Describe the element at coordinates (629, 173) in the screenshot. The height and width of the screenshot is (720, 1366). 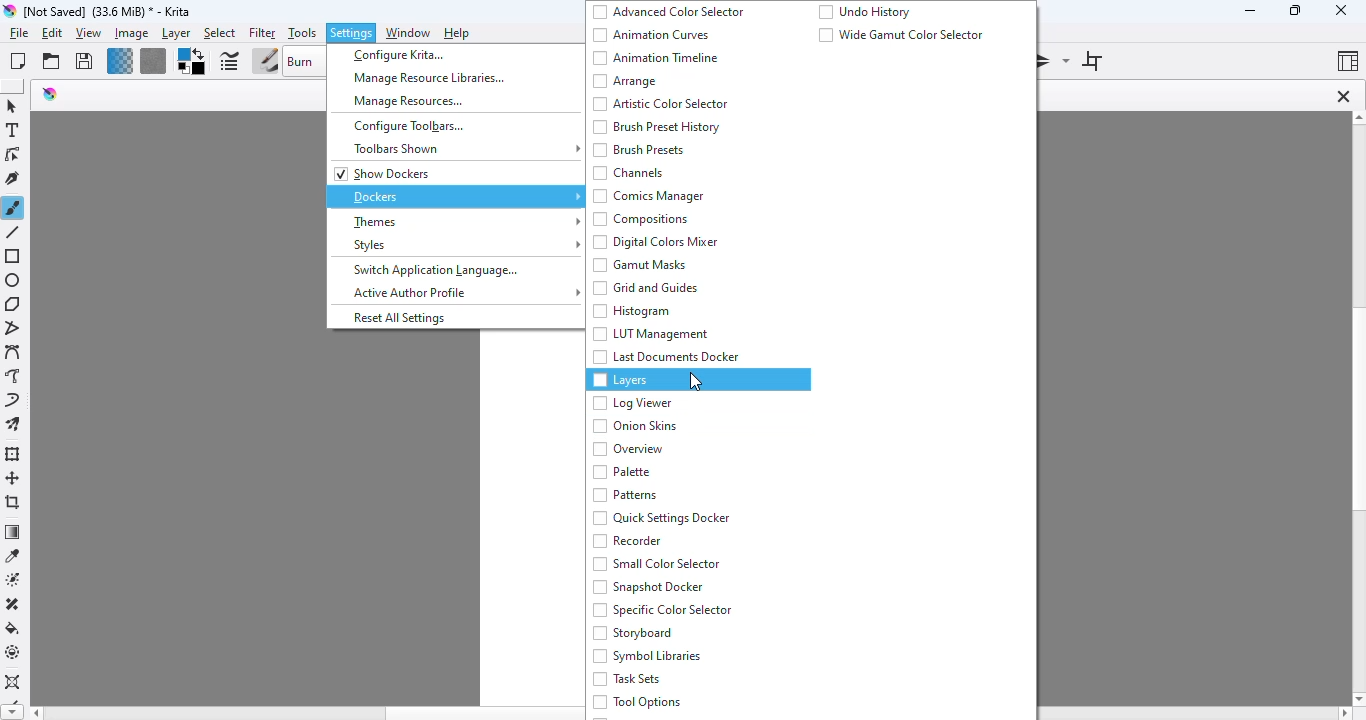
I see `channels` at that location.